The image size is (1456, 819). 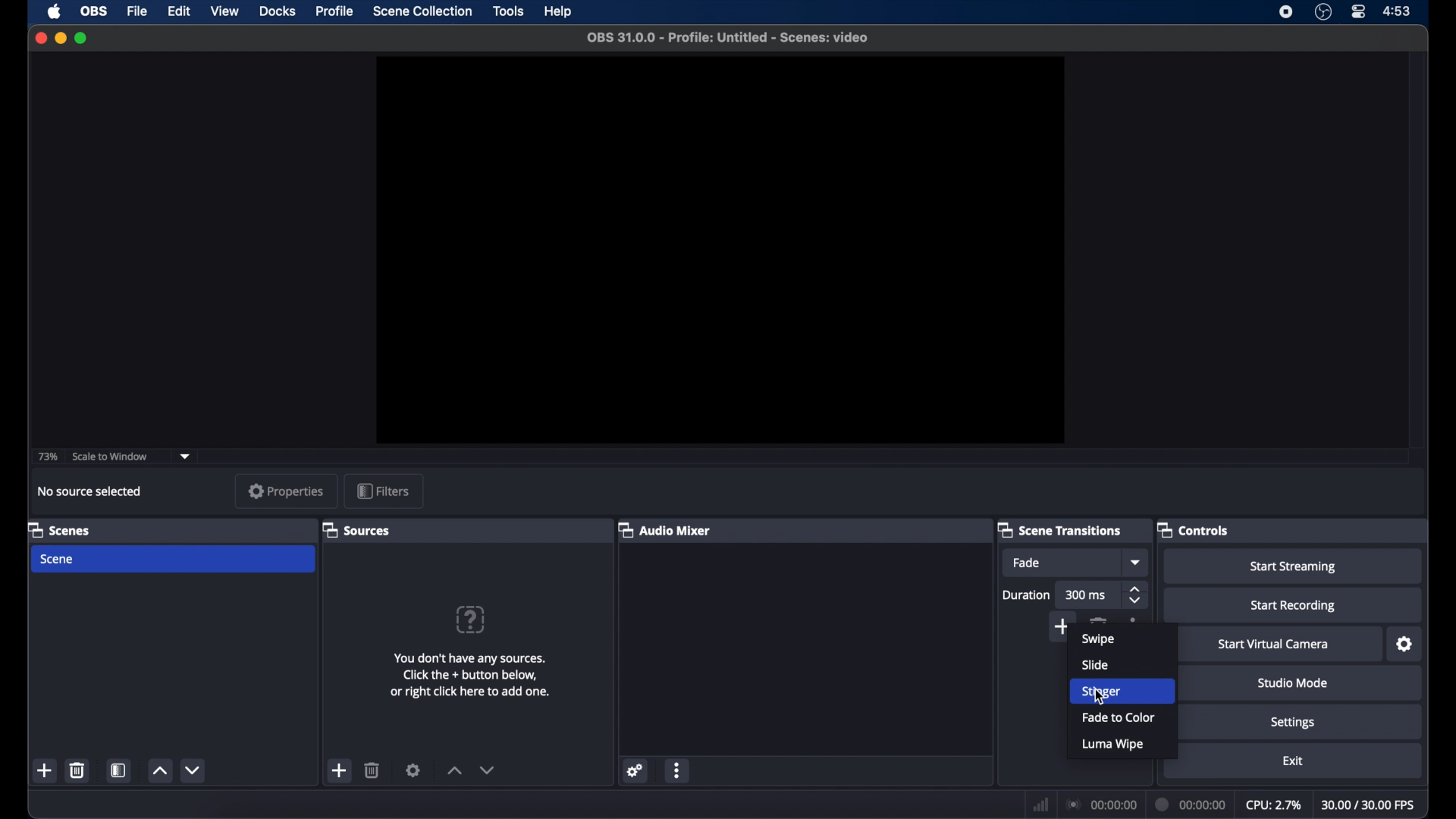 What do you see at coordinates (95, 11) in the screenshot?
I see `obs` at bounding box center [95, 11].